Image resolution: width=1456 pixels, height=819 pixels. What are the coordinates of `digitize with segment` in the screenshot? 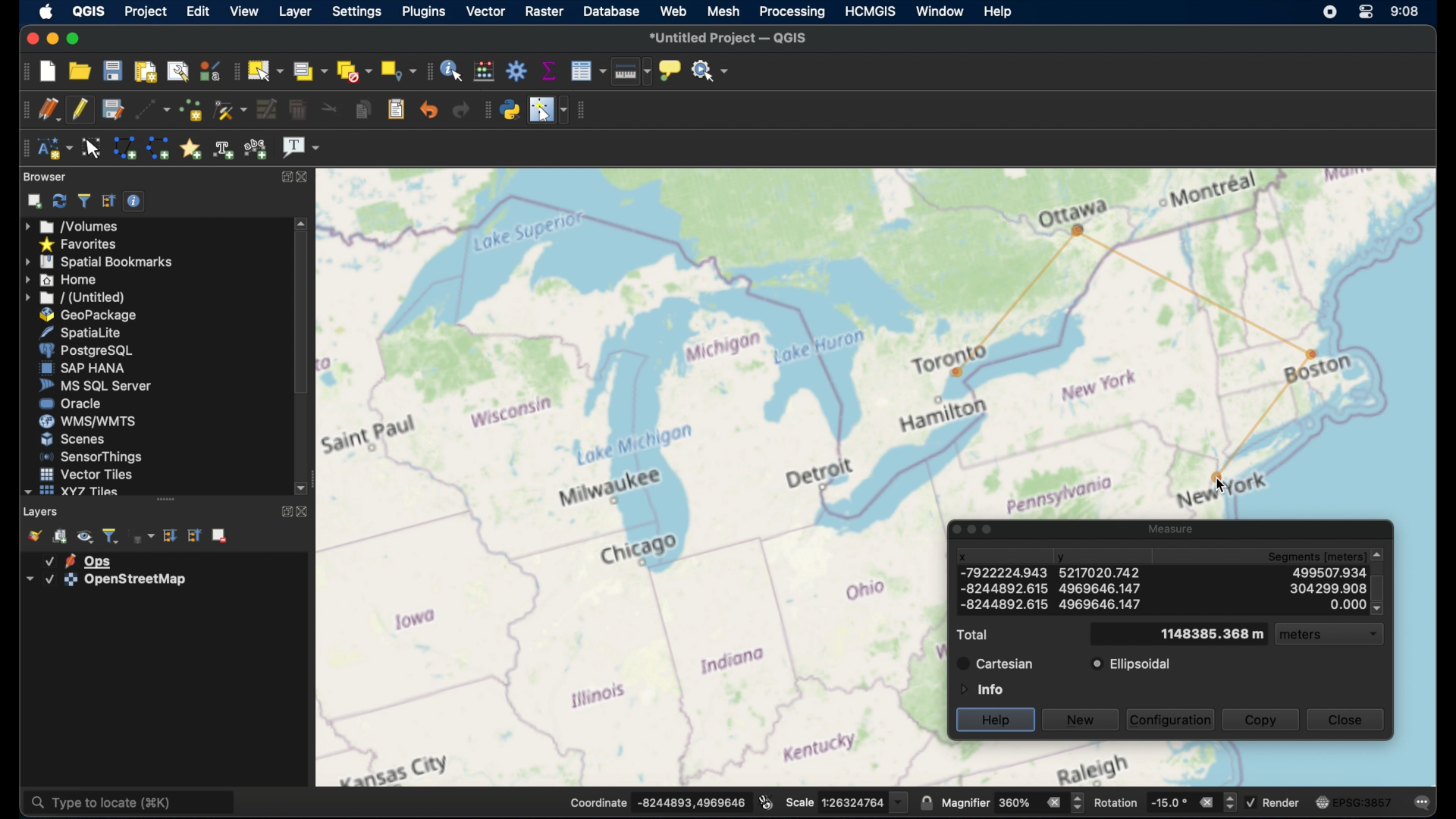 It's located at (152, 108).